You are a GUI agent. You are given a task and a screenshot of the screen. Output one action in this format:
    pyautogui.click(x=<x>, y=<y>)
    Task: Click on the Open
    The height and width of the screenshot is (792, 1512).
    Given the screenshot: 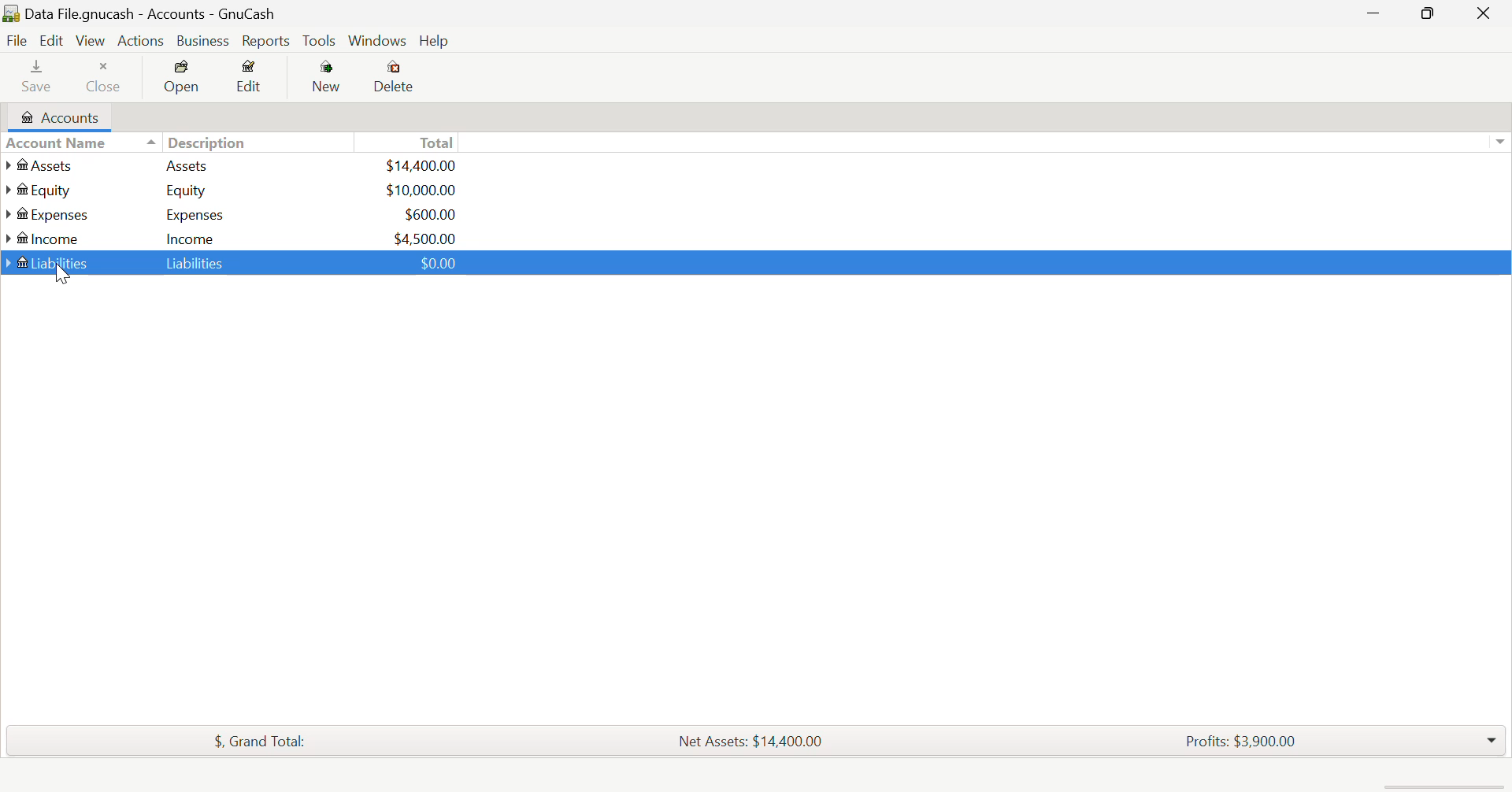 What is the action you would take?
    pyautogui.click(x=183, y=80)
    